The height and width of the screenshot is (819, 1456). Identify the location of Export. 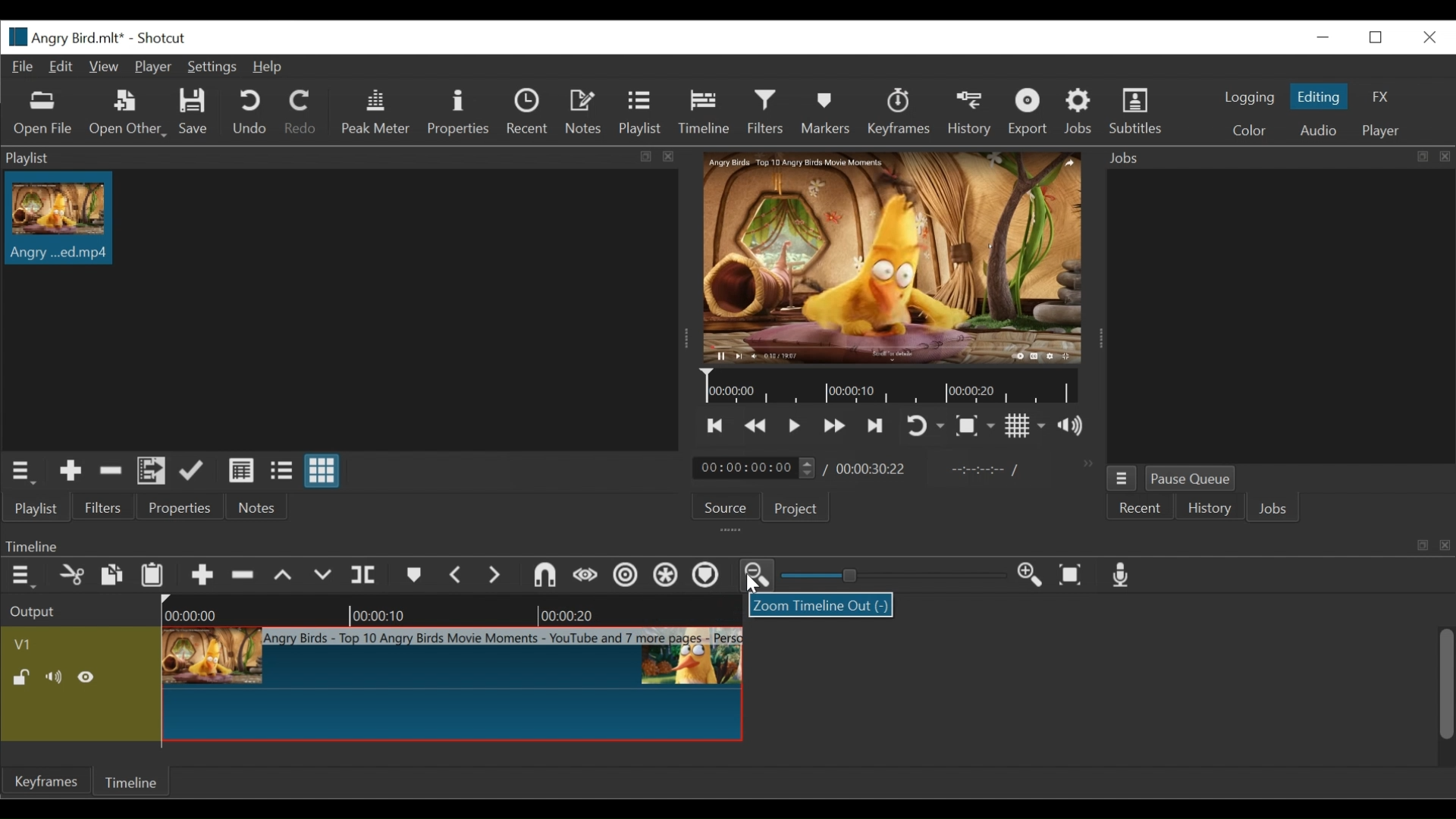
(1028, 111).